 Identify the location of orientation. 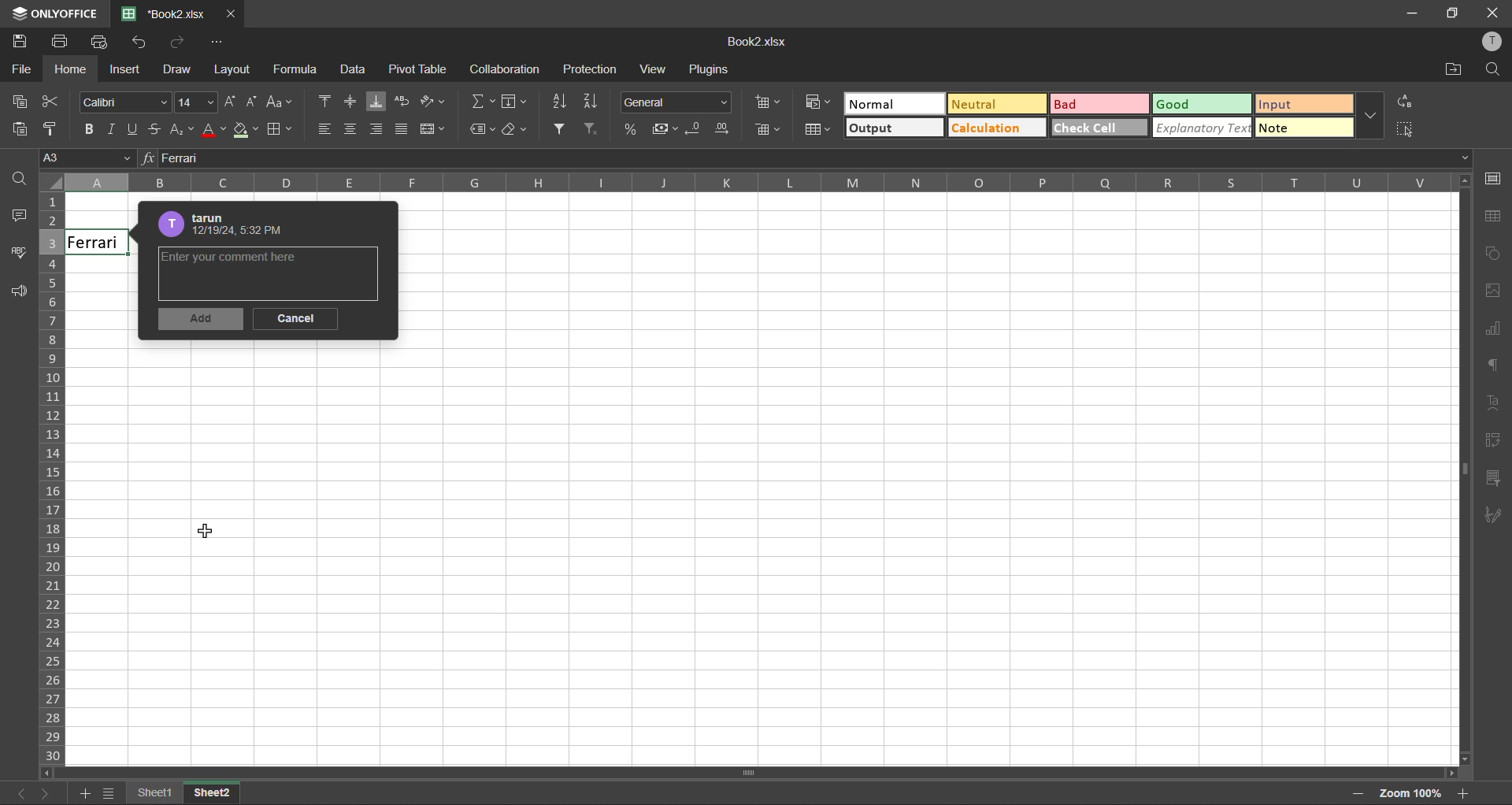
(434, 101).